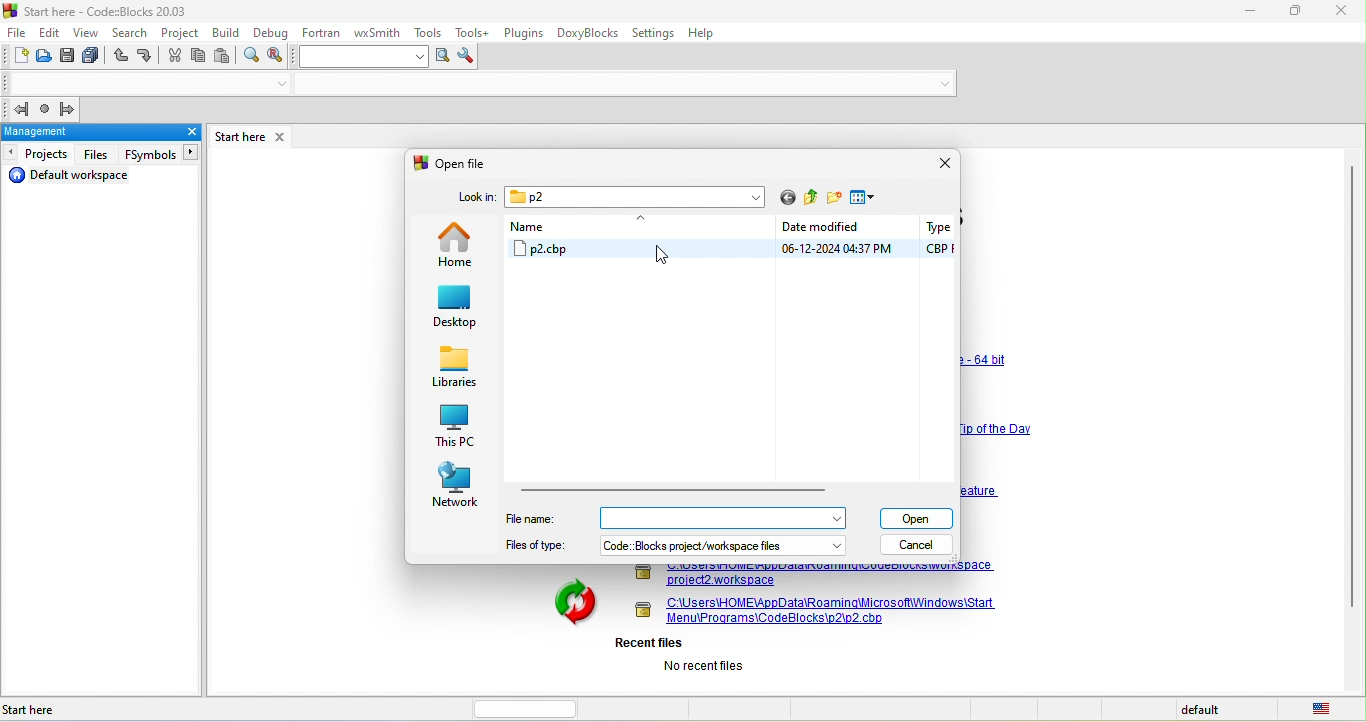 The image size is (1366, 722). Describe the element at coordinates (914, 546) in the screenshot. I see `cancel` at that location.